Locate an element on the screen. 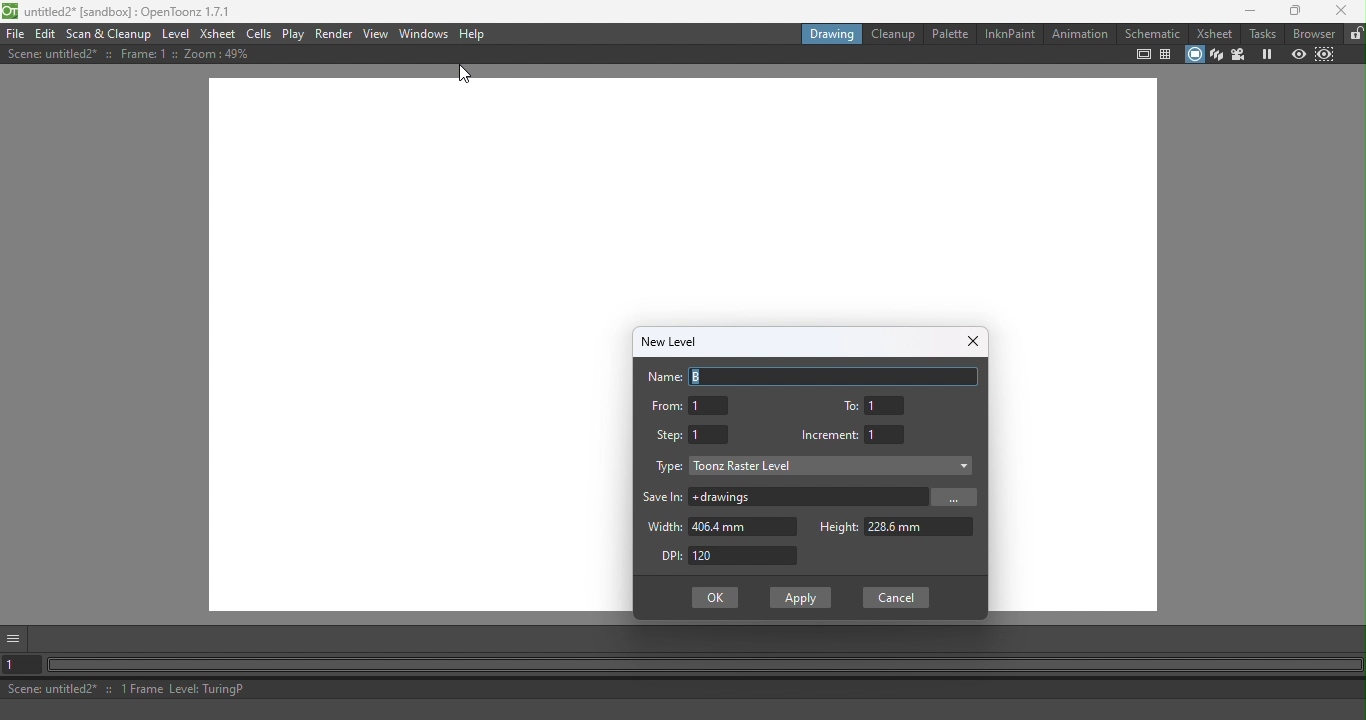  Step is located at coordinates (669, 436).